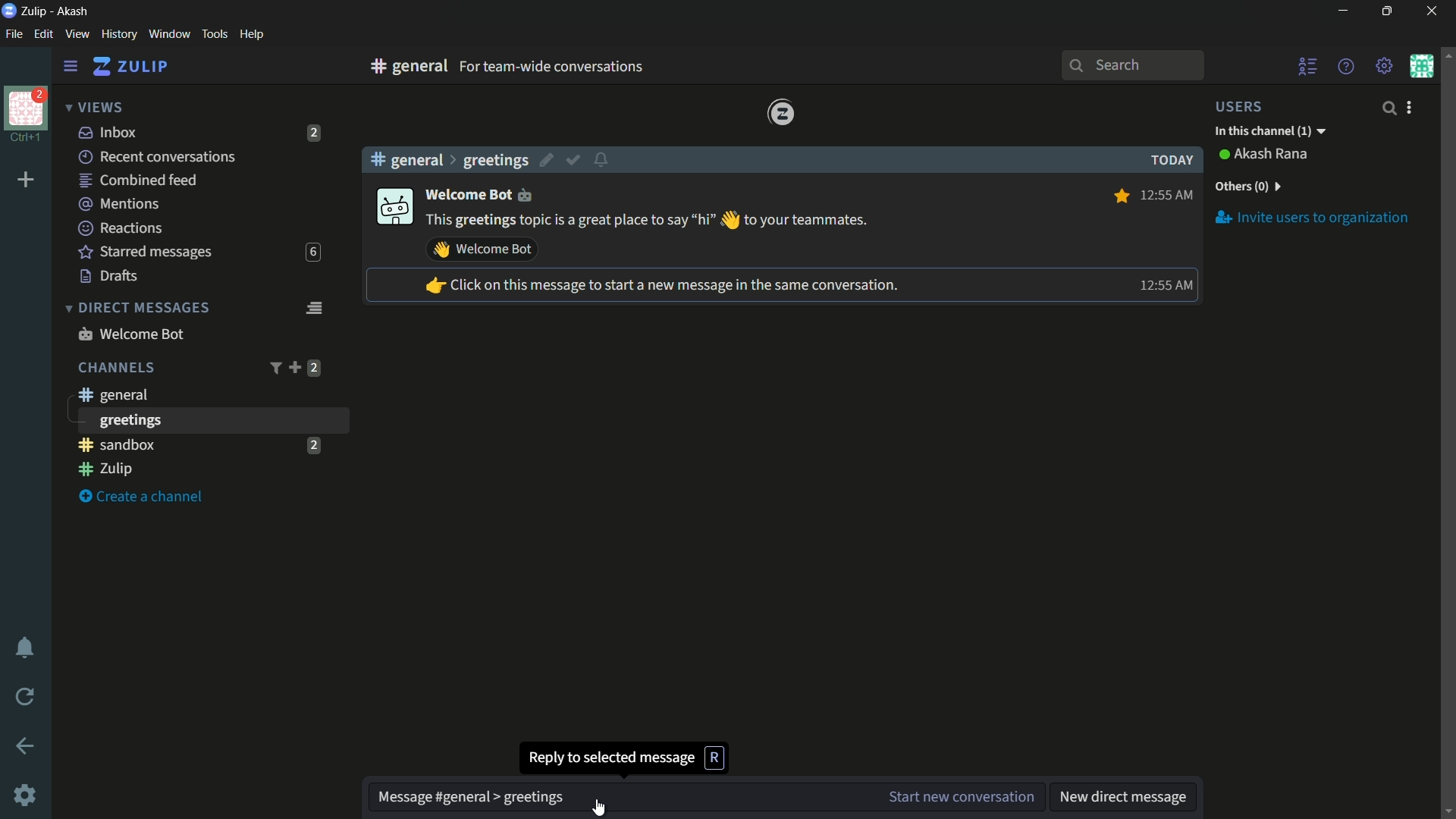  I want to click on 2 unread messages, so click(315, 133).